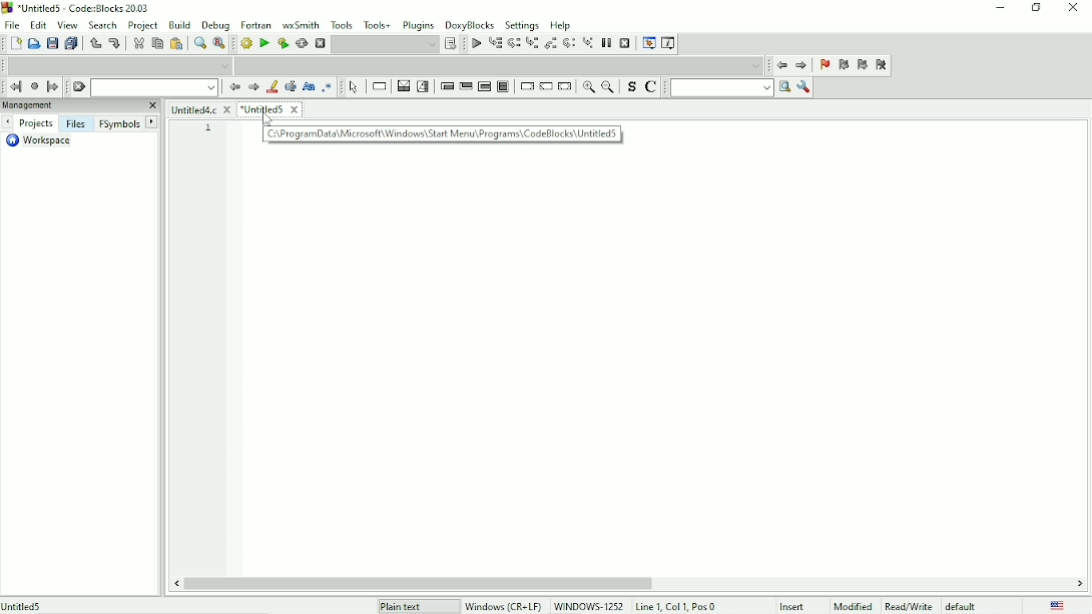  I want to click on Drop down, so click(154, 87).